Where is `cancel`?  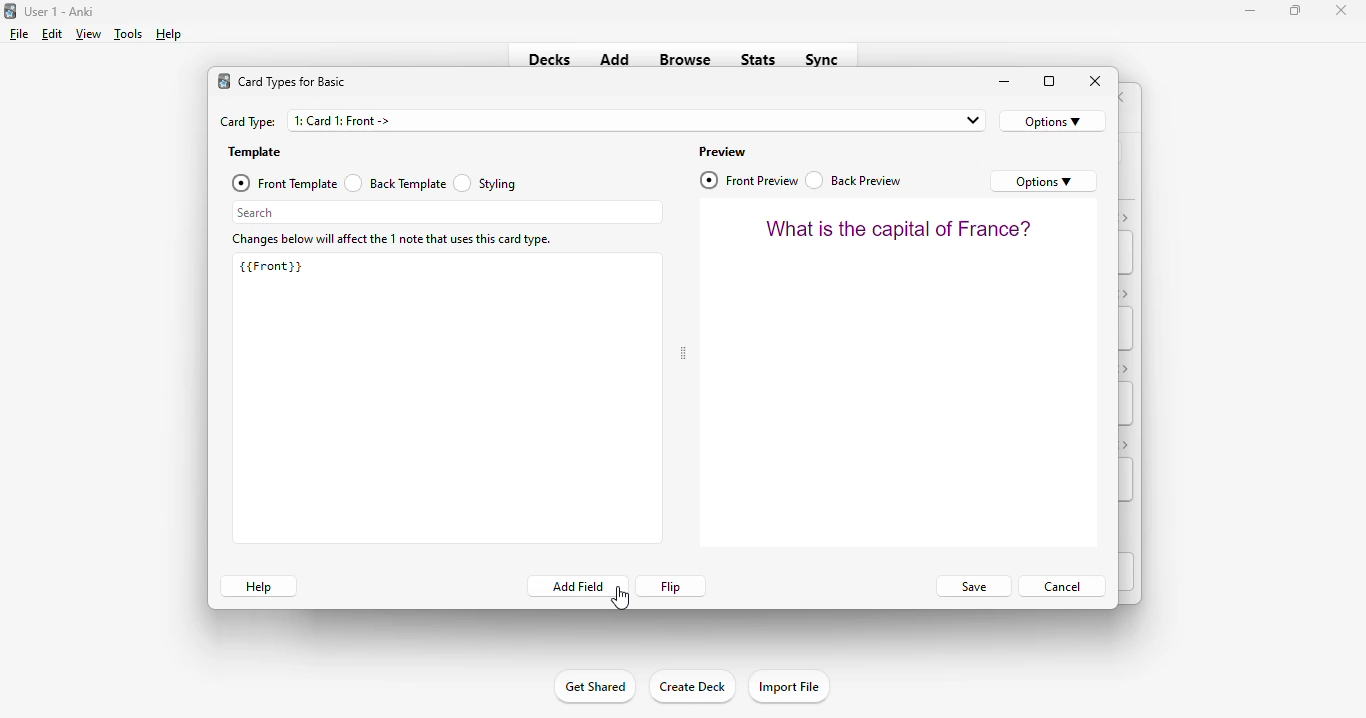
cancel is located at coordinates (1062, 585).